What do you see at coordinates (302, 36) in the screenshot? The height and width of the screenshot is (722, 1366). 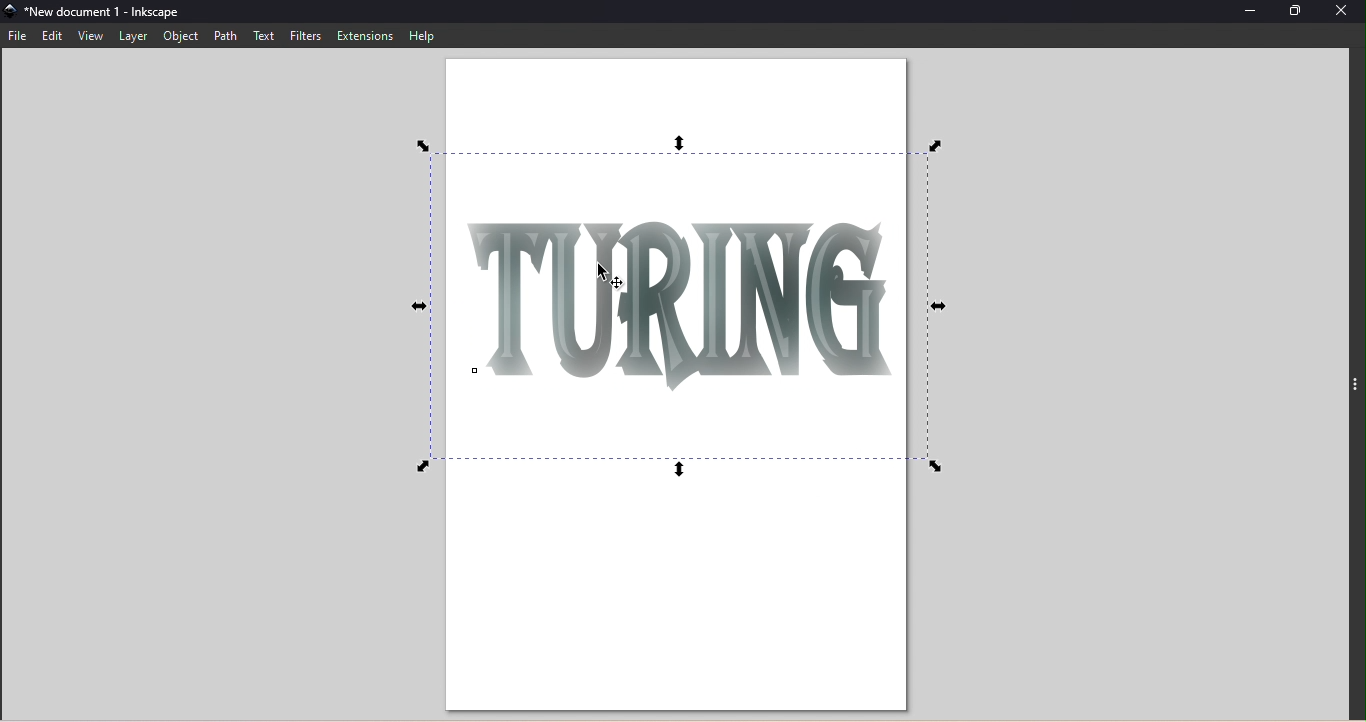 I see `Filters` at bounding box center [302, 36].